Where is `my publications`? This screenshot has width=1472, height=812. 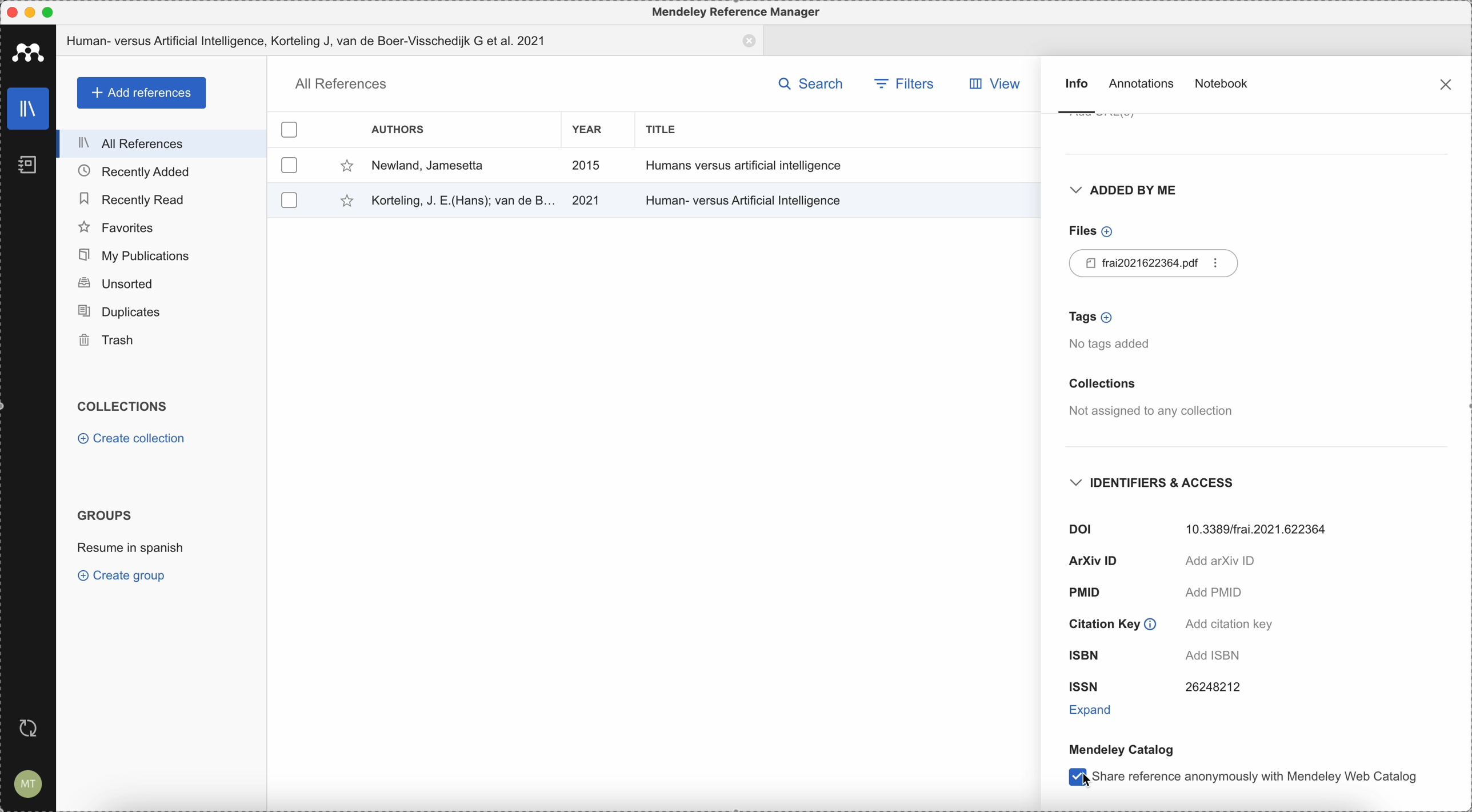 my publications is located at coordinates (164, 255).